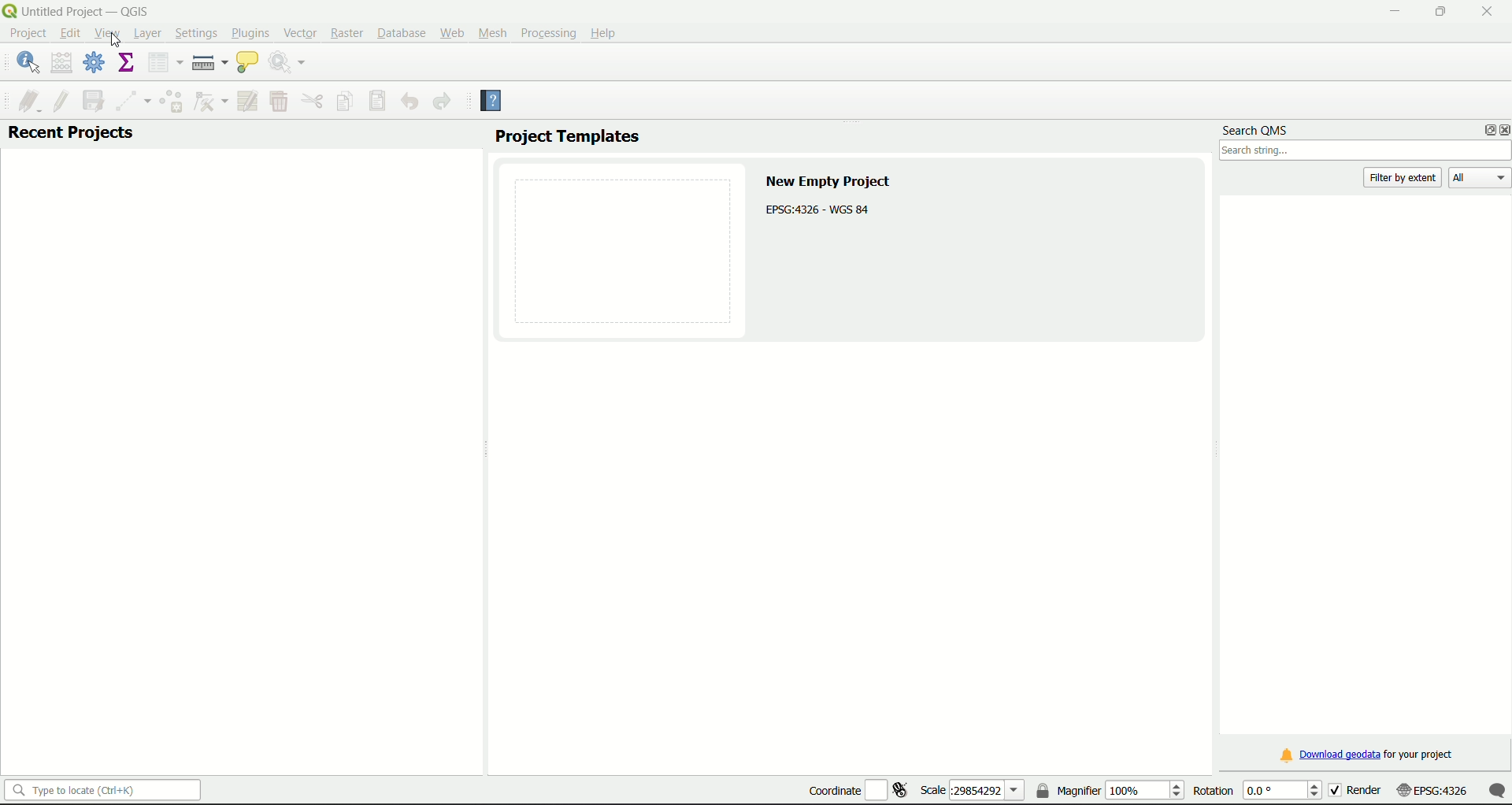  Describe the element at coordinates (832, 198) in the screenshot. I see `text` at that location.